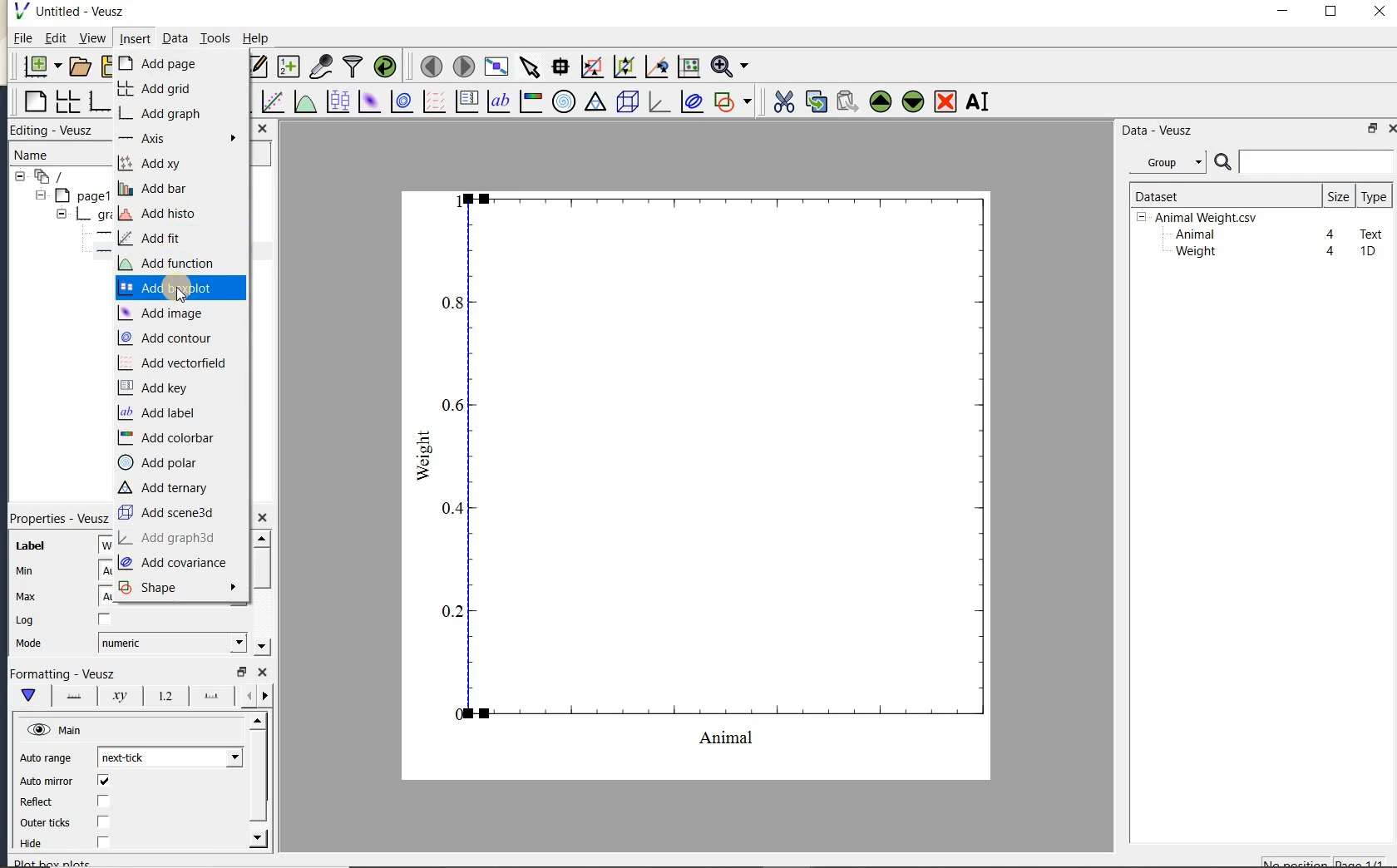  Describe the element at coordinates (27, 571) in the screenshot. I see `Min` at that location.